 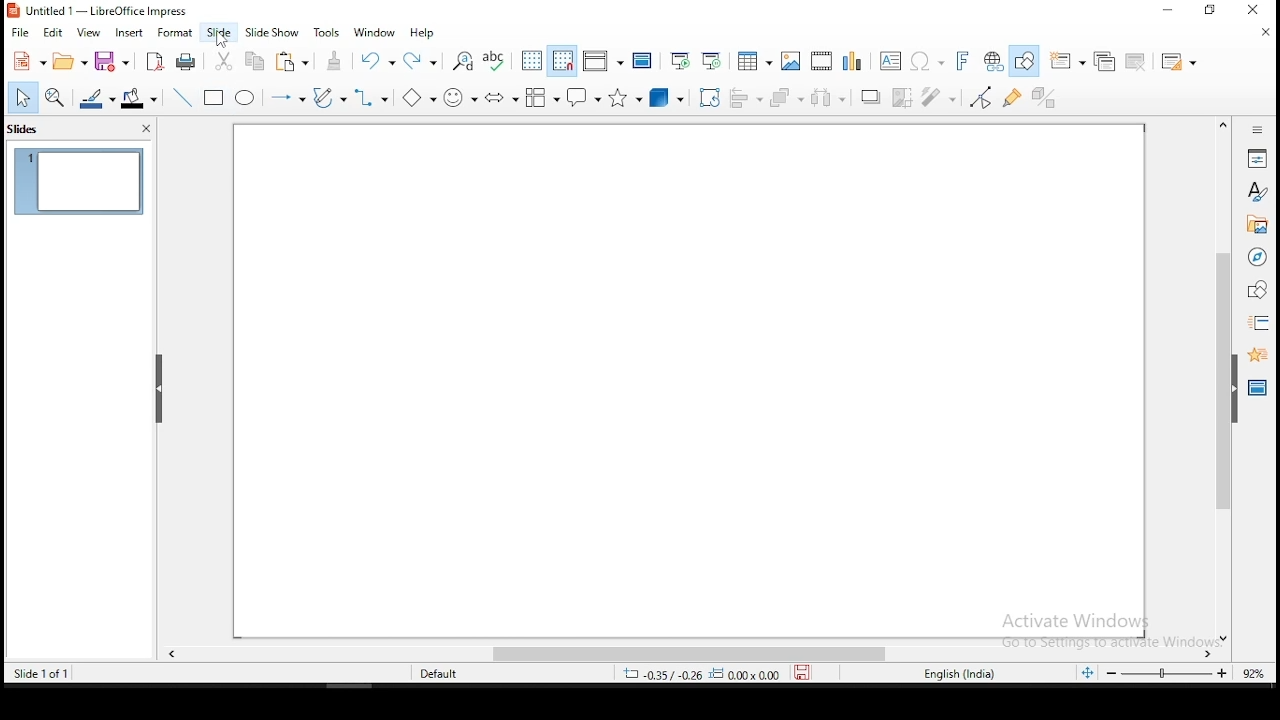 I want to click on fill color, so click(x=143, y=99).